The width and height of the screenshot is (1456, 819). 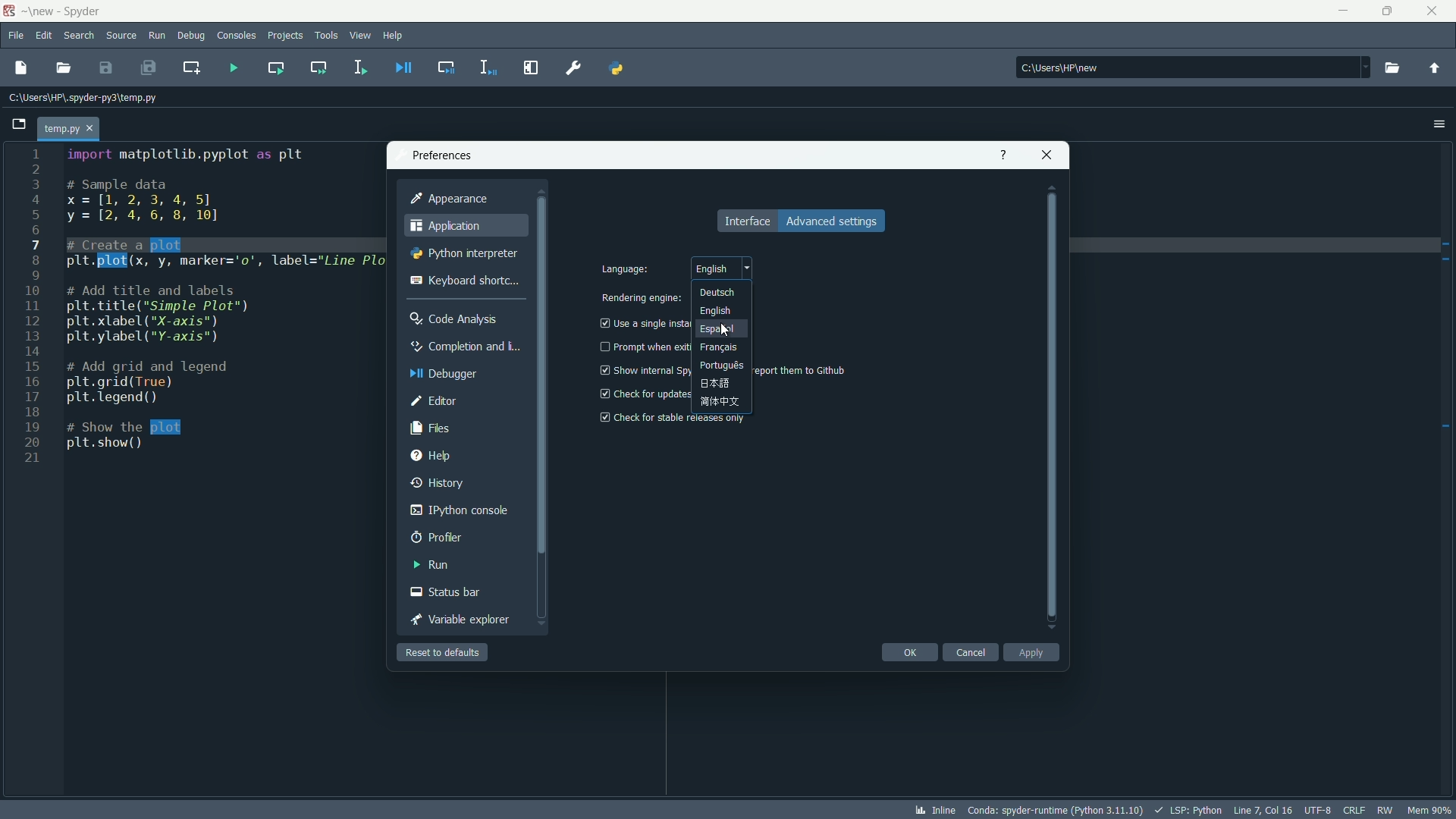 What do you see at coordinates (157, 36) in the screenshot?
I see `run` at bounding box center [157, 36].